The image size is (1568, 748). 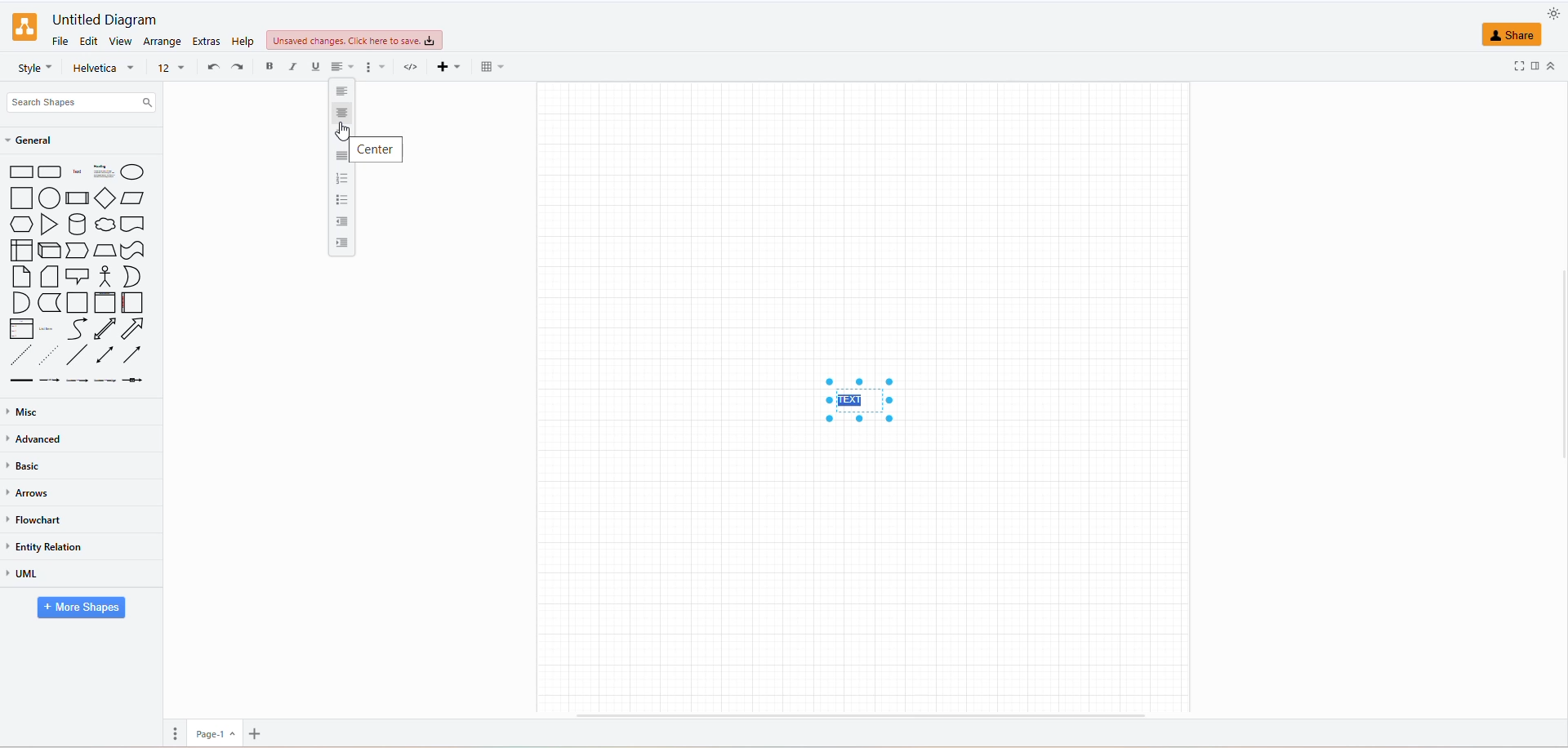 What do you see at coordinates (215, 66) in the screenshot?
I see `undo` at bounding box center [215, 66].